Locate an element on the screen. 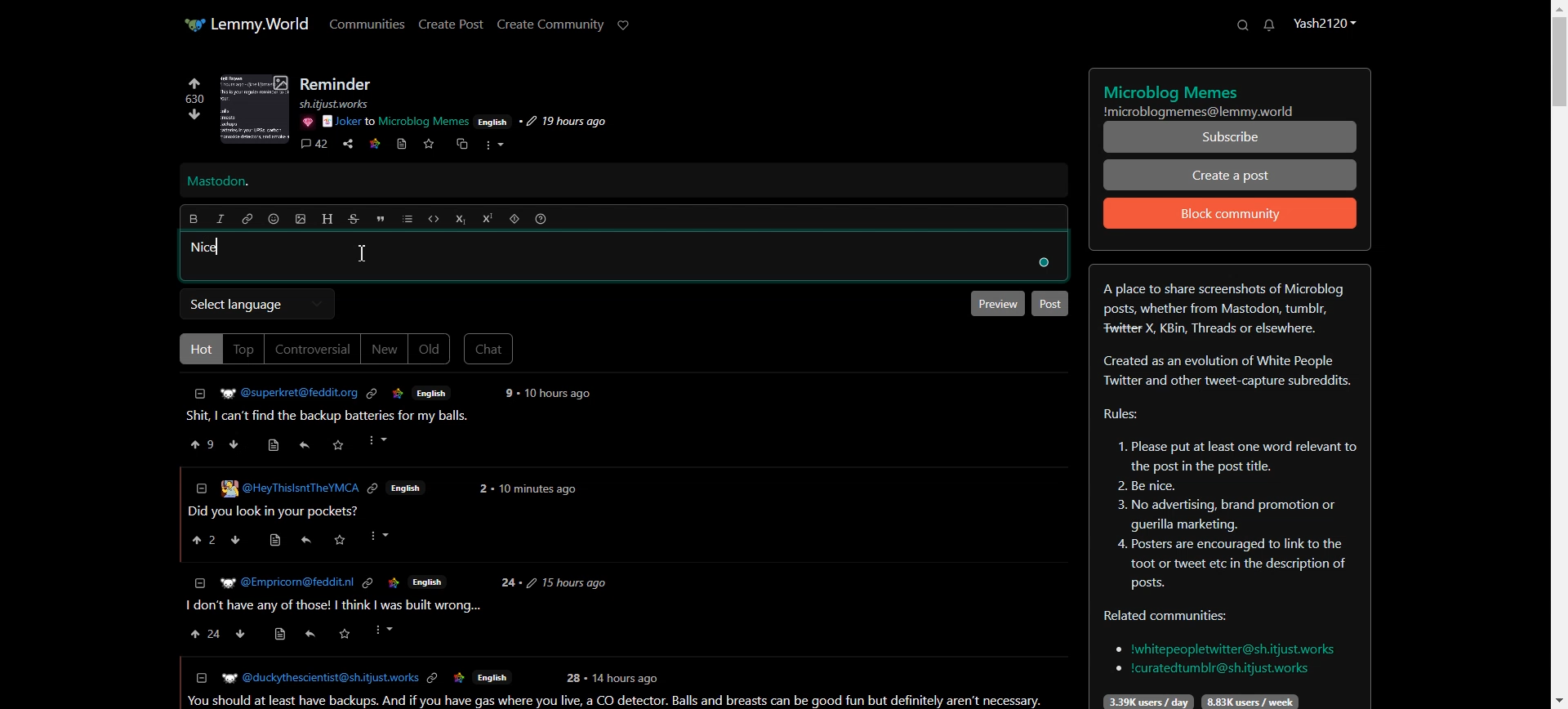 This screenshot has height=709, width=1568. Save is located at coordinates (428, 144).